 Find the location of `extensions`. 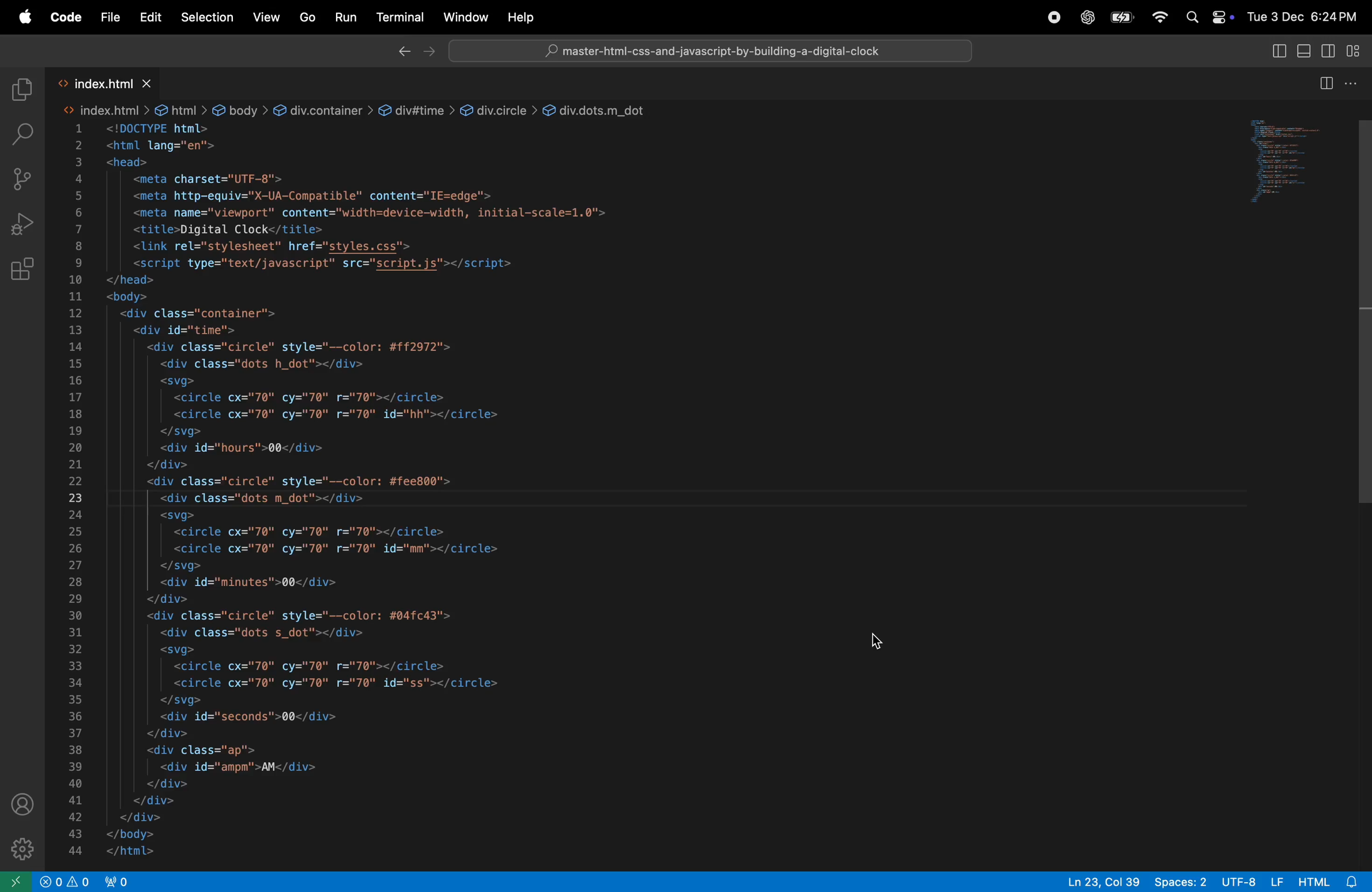

extensions is located at coordinates (22, 270).